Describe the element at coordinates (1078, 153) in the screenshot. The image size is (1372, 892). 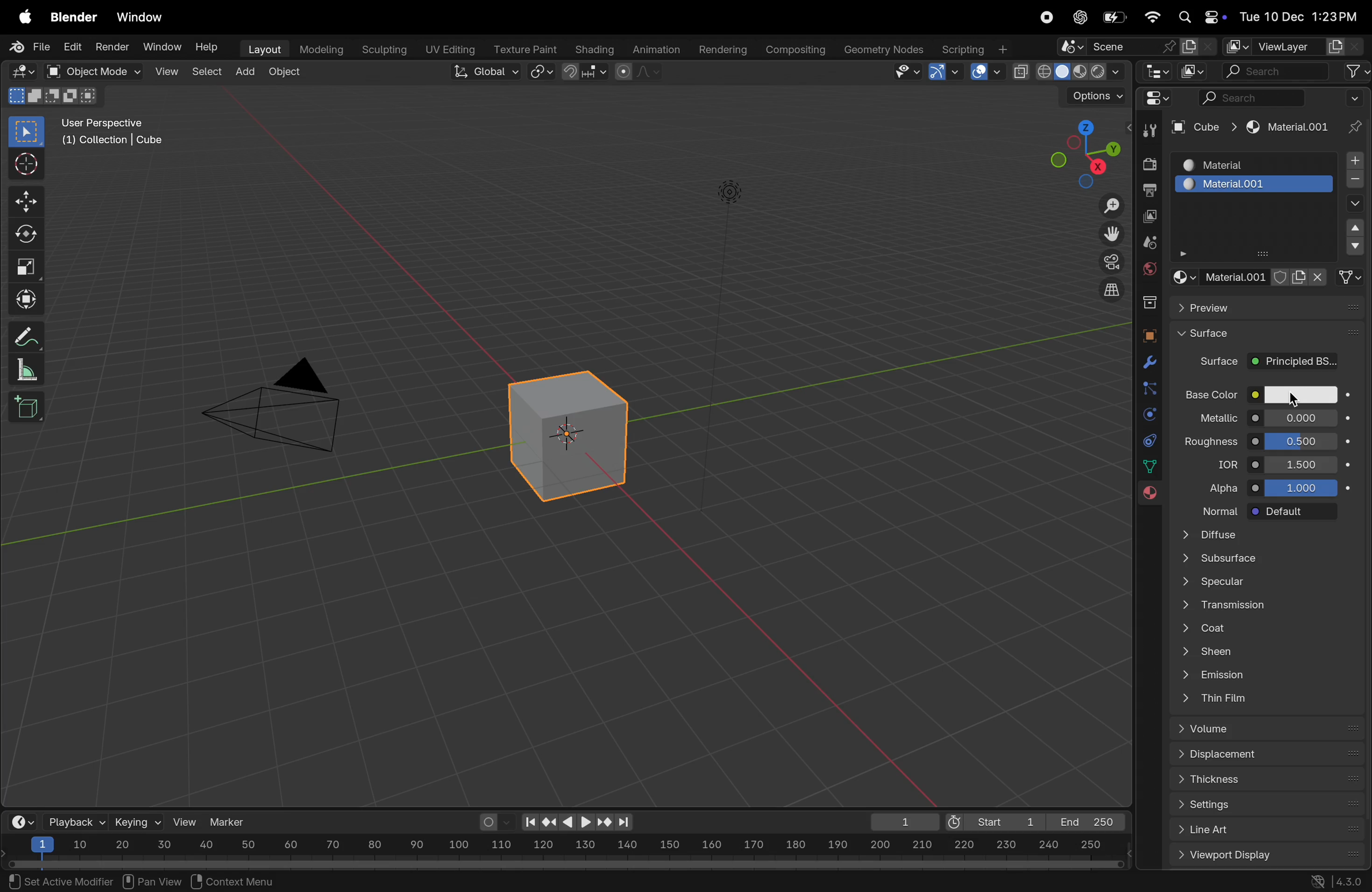
I see `view point` at that location.